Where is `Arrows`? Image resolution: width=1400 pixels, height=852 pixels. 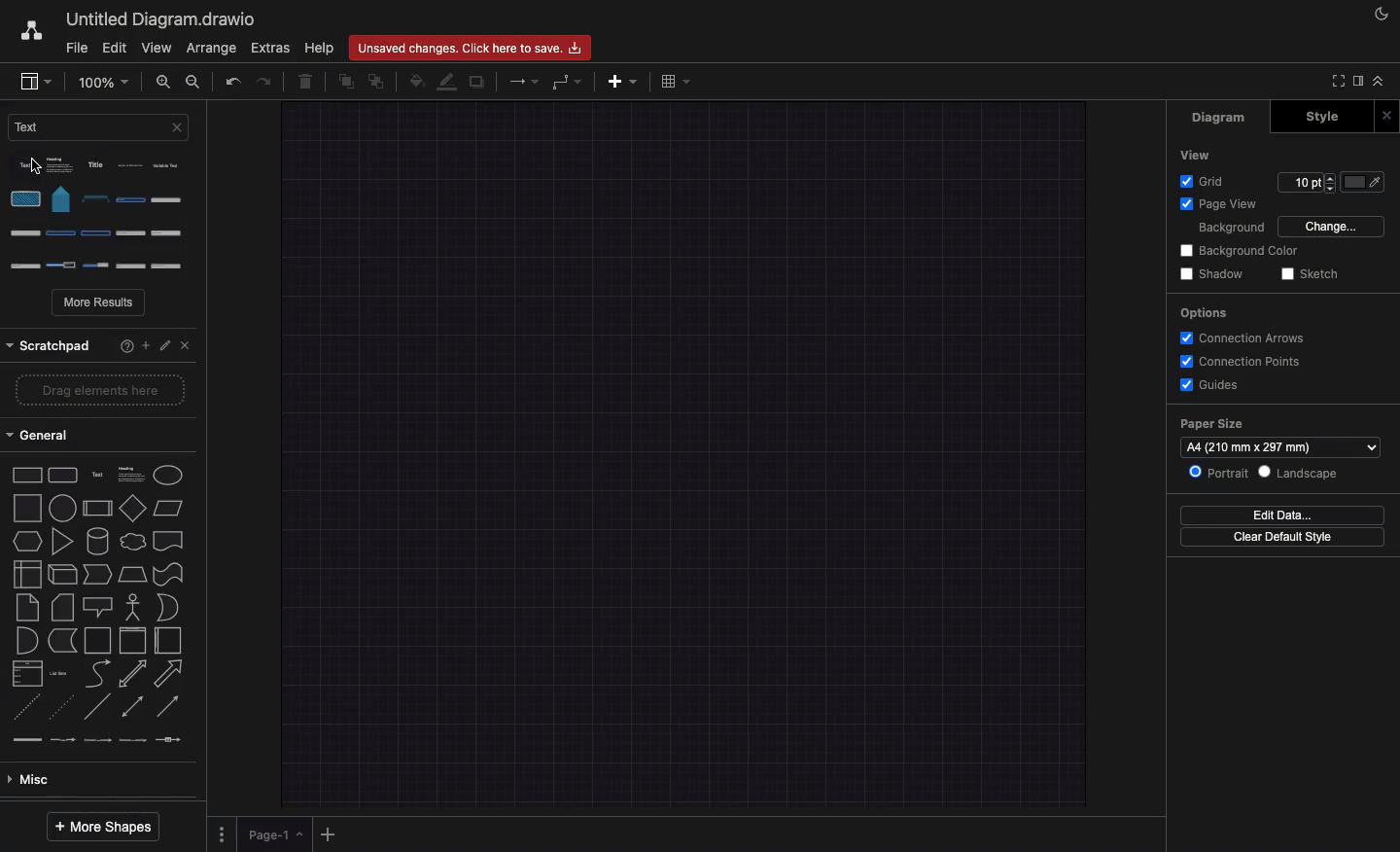 Arrows is located at coordinates (526, 81).